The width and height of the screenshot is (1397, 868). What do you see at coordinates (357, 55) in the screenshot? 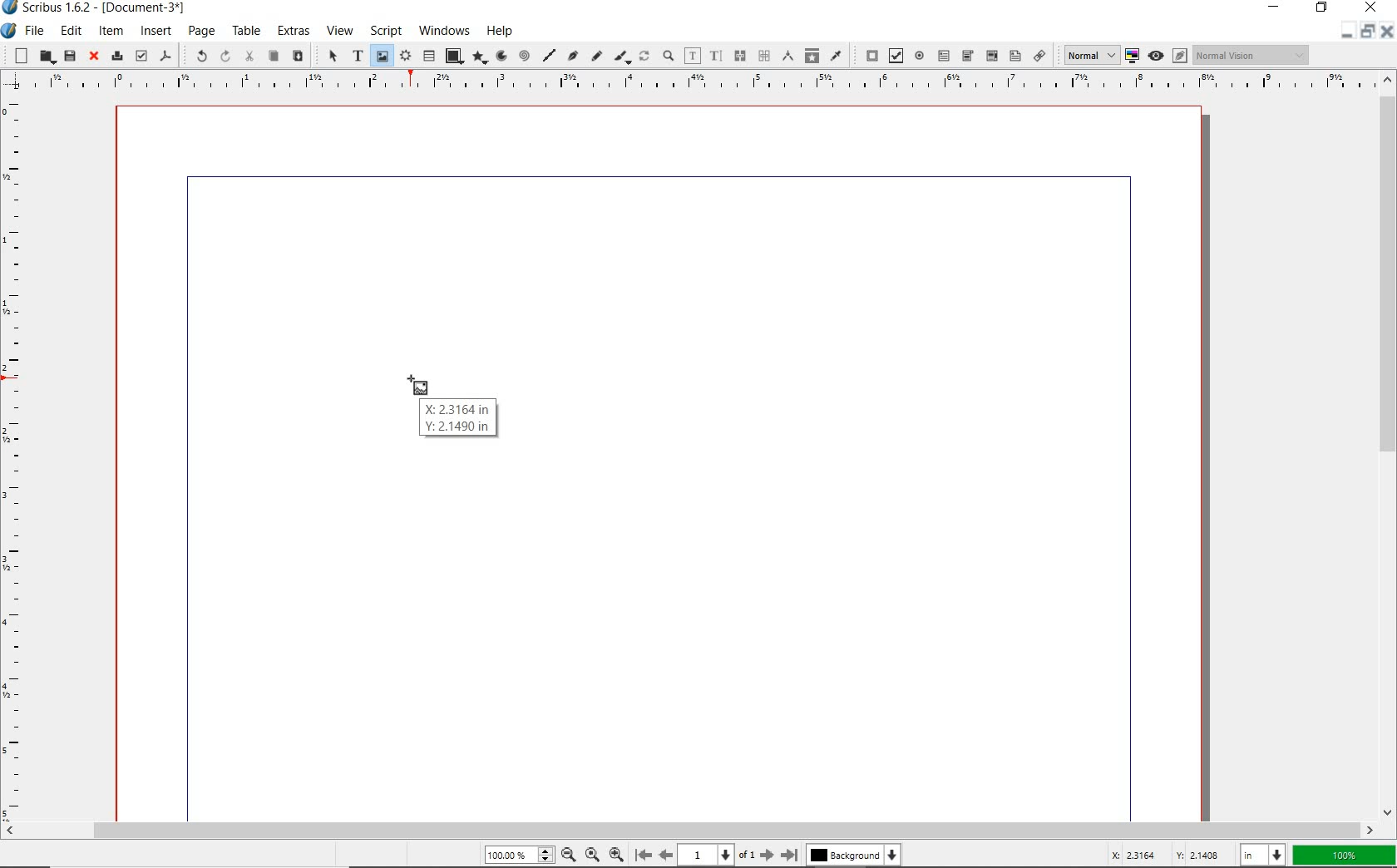
I see `text frame` at bounding box center [357, 55].